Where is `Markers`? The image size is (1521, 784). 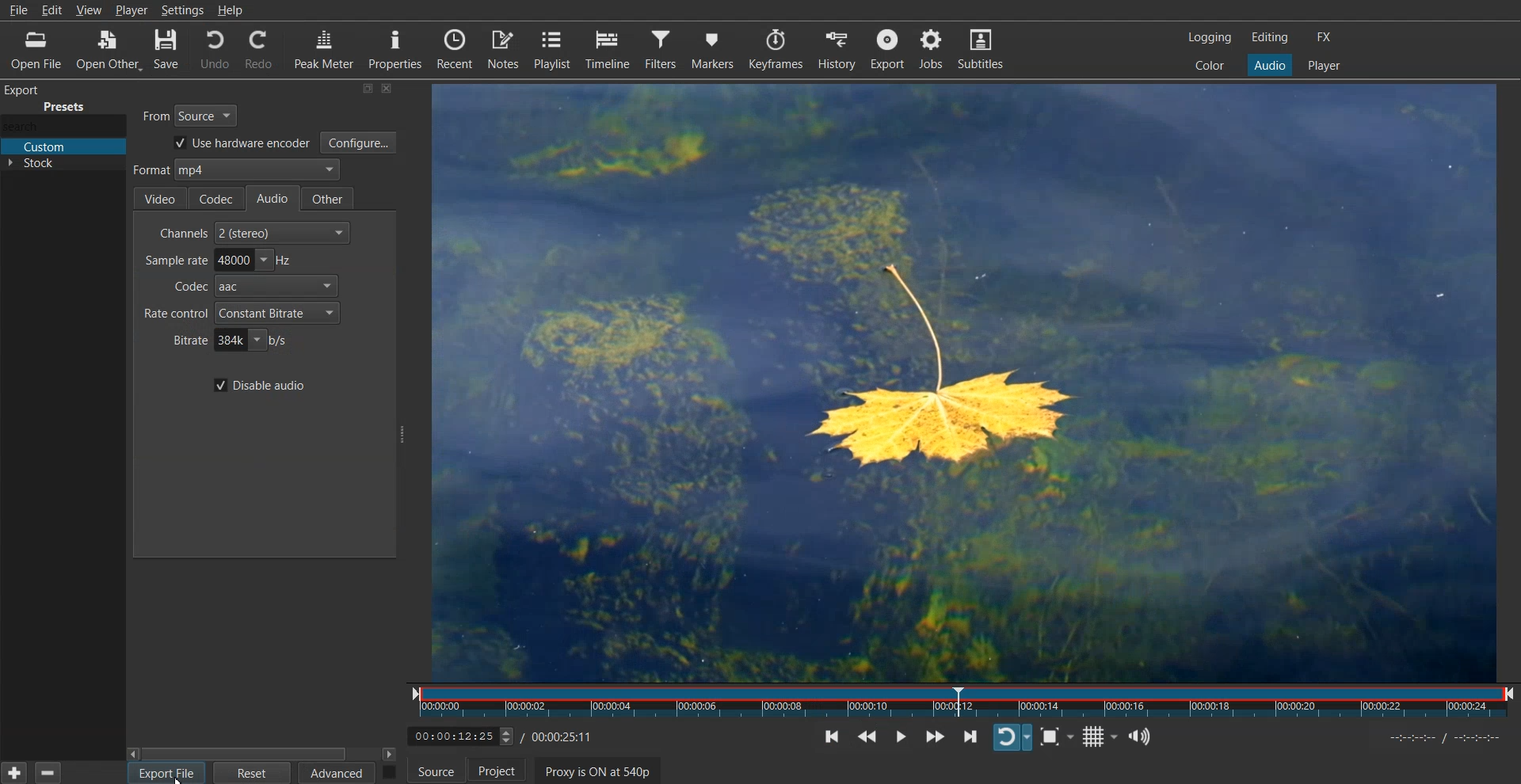
Markers is located at coordinates (714, 48).